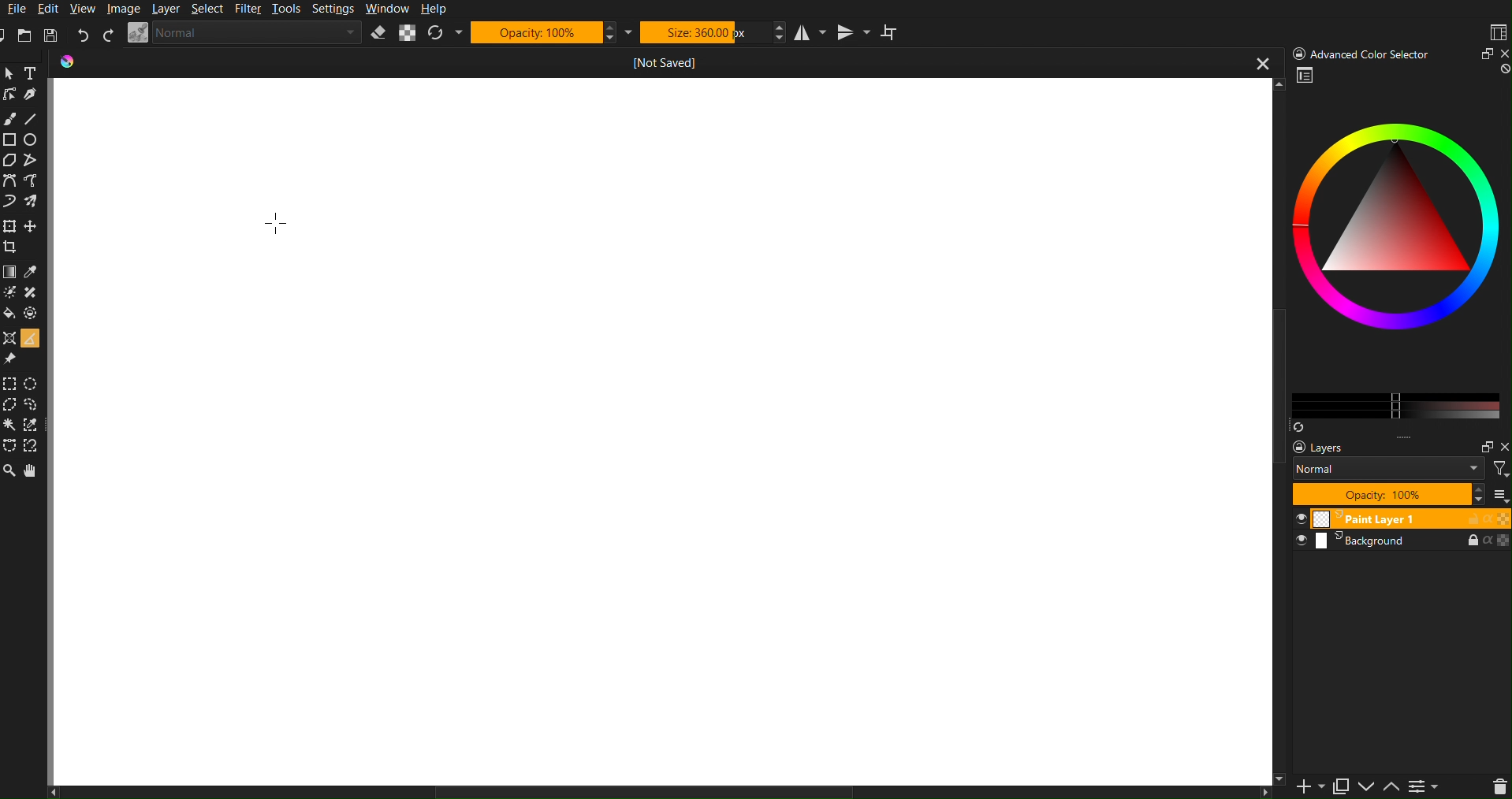  I want to click on Redo, so click(108, 35).